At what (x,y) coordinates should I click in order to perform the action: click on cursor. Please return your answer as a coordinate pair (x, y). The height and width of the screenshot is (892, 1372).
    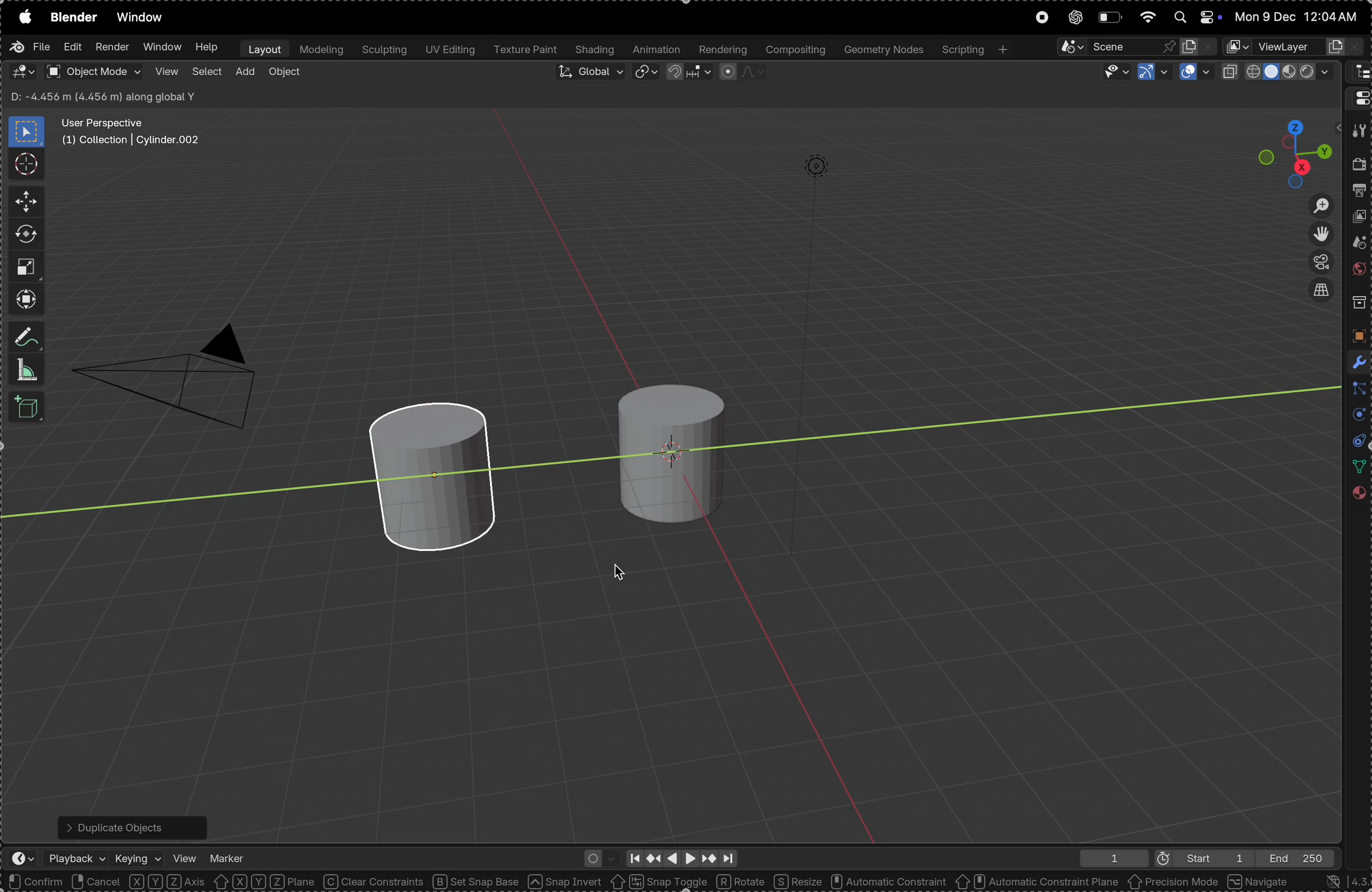
    Looking at the image, I should click on (620, 573).